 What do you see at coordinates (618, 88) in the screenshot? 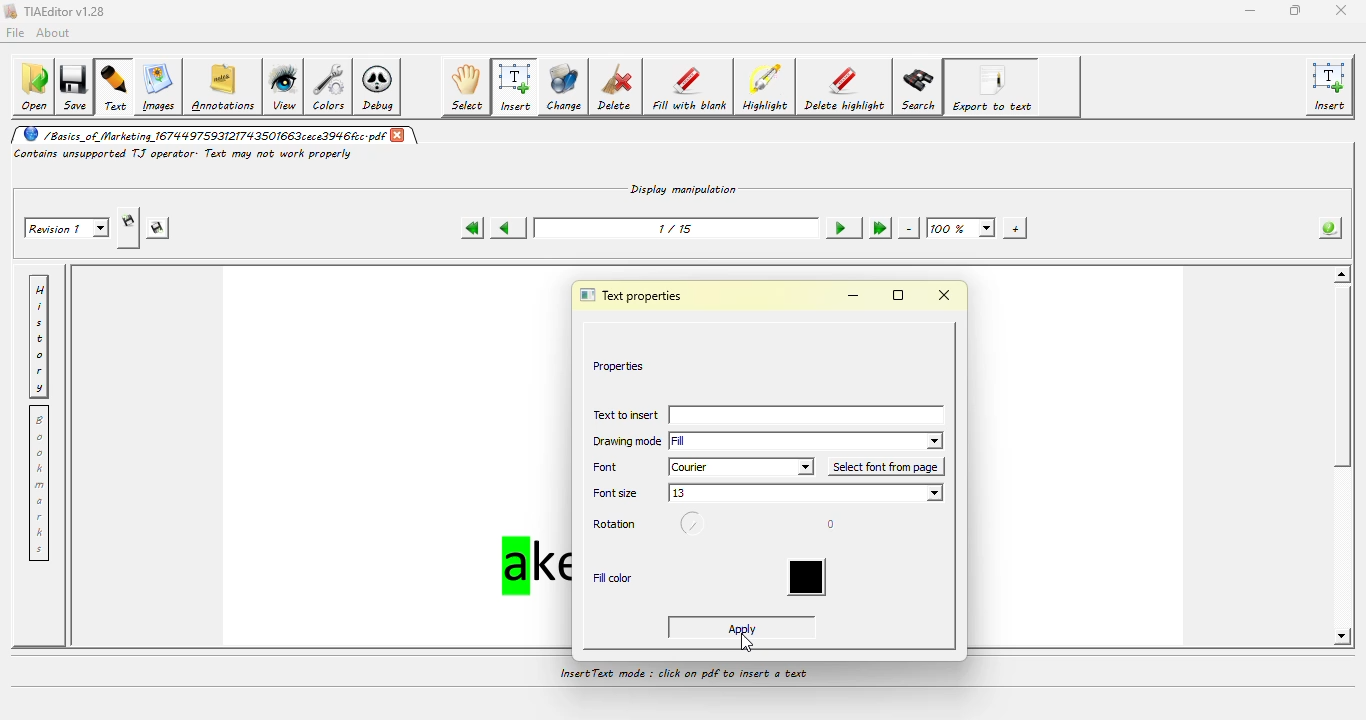
I see `delete` at bounding box center [618, 88].